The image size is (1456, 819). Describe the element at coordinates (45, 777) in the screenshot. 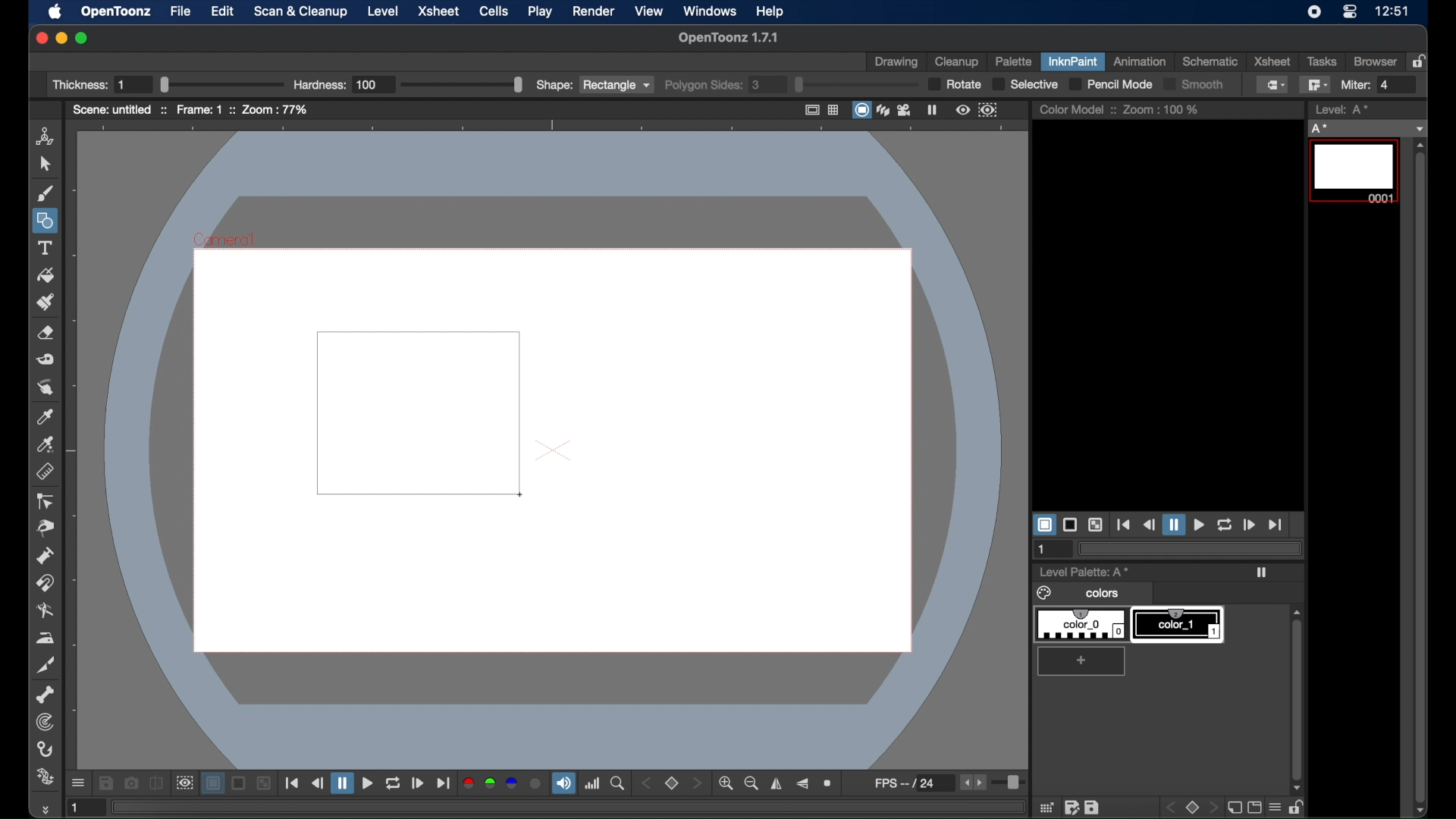

I see `plastic tool` at that location.